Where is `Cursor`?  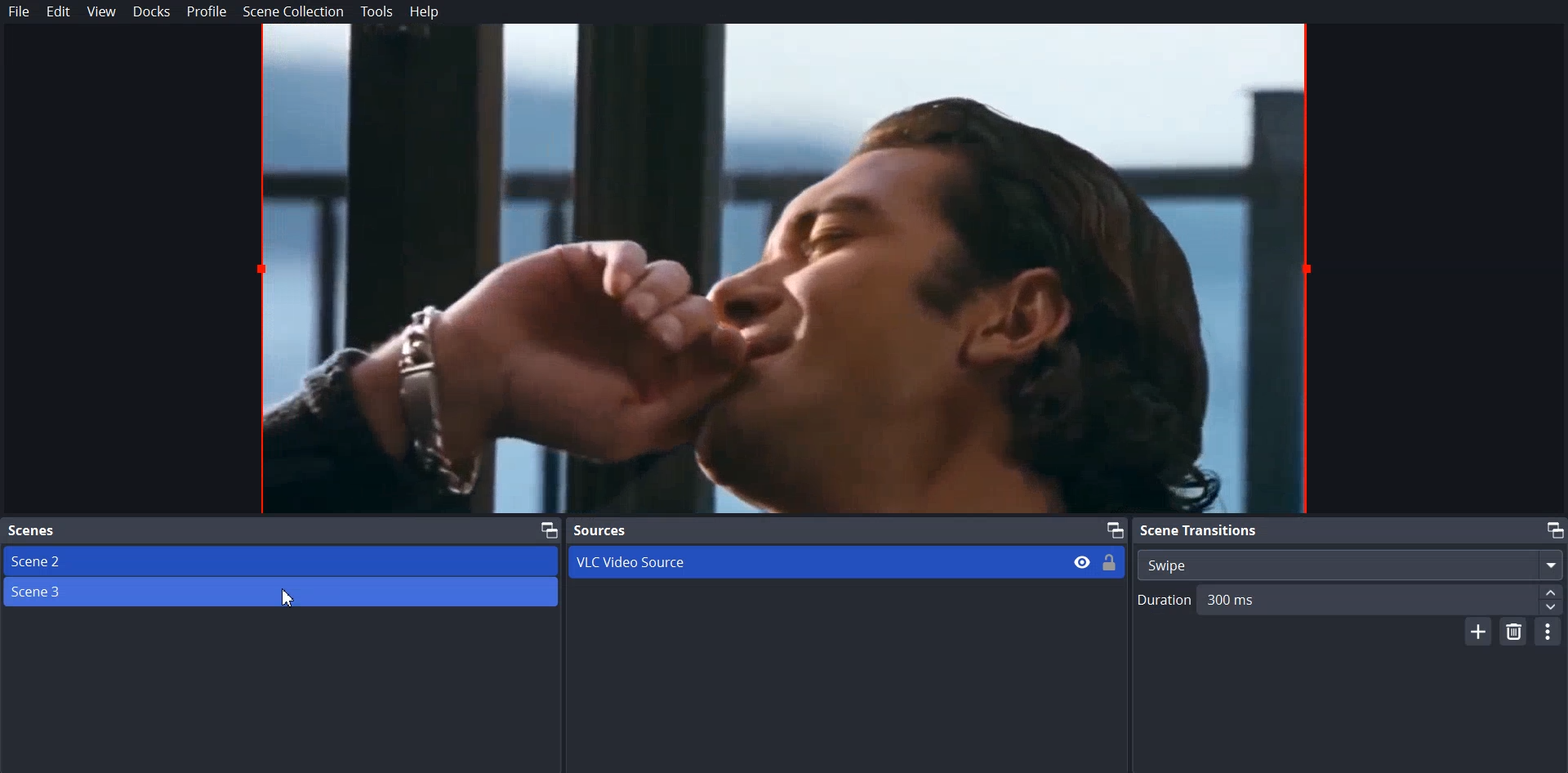 Cursor is located at coordinates (292, 597).